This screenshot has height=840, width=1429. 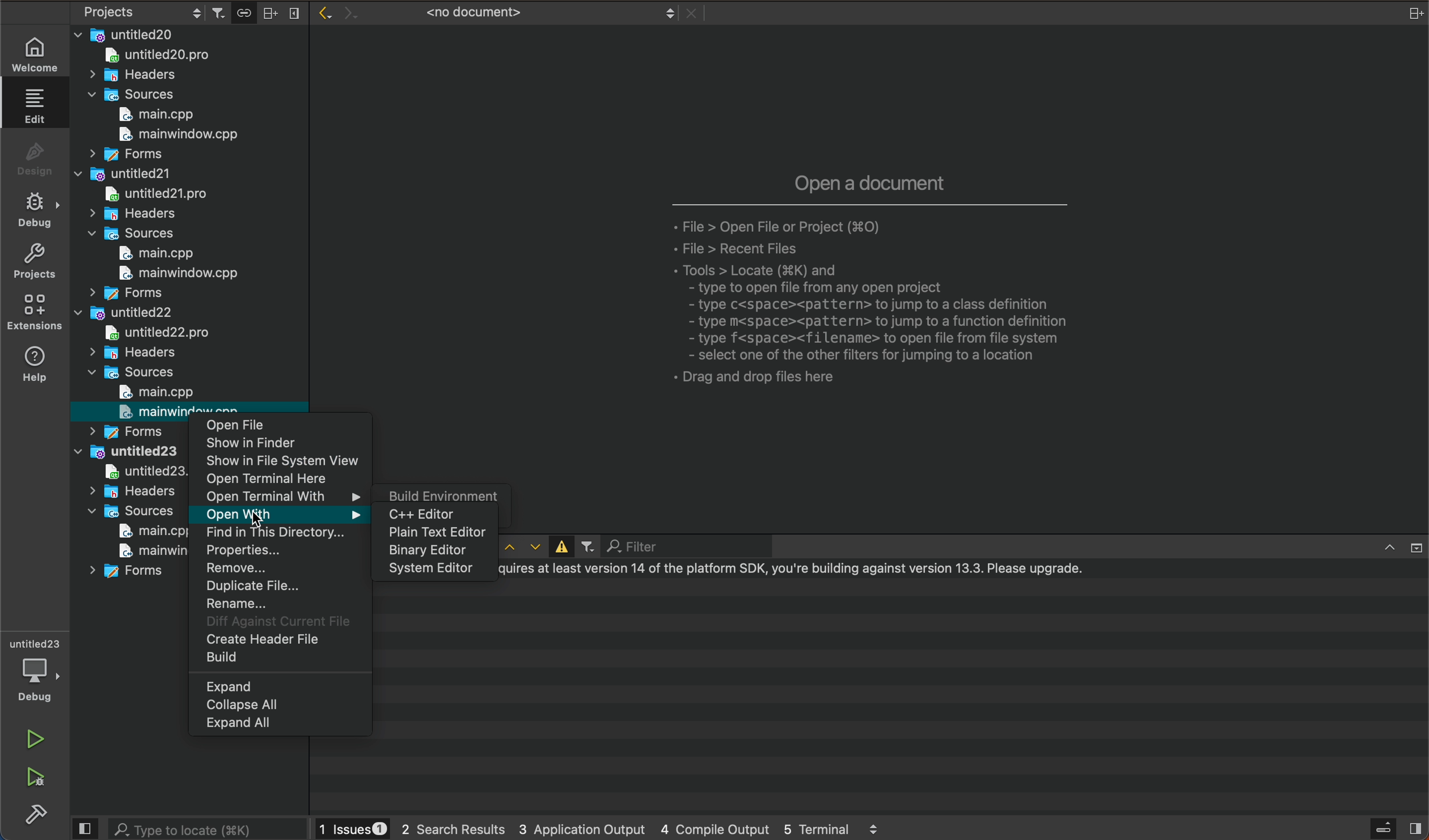 What do you see at coordinates (433, 570) in the screenshot?
I see `system editor` at bounding box center [433, 570].